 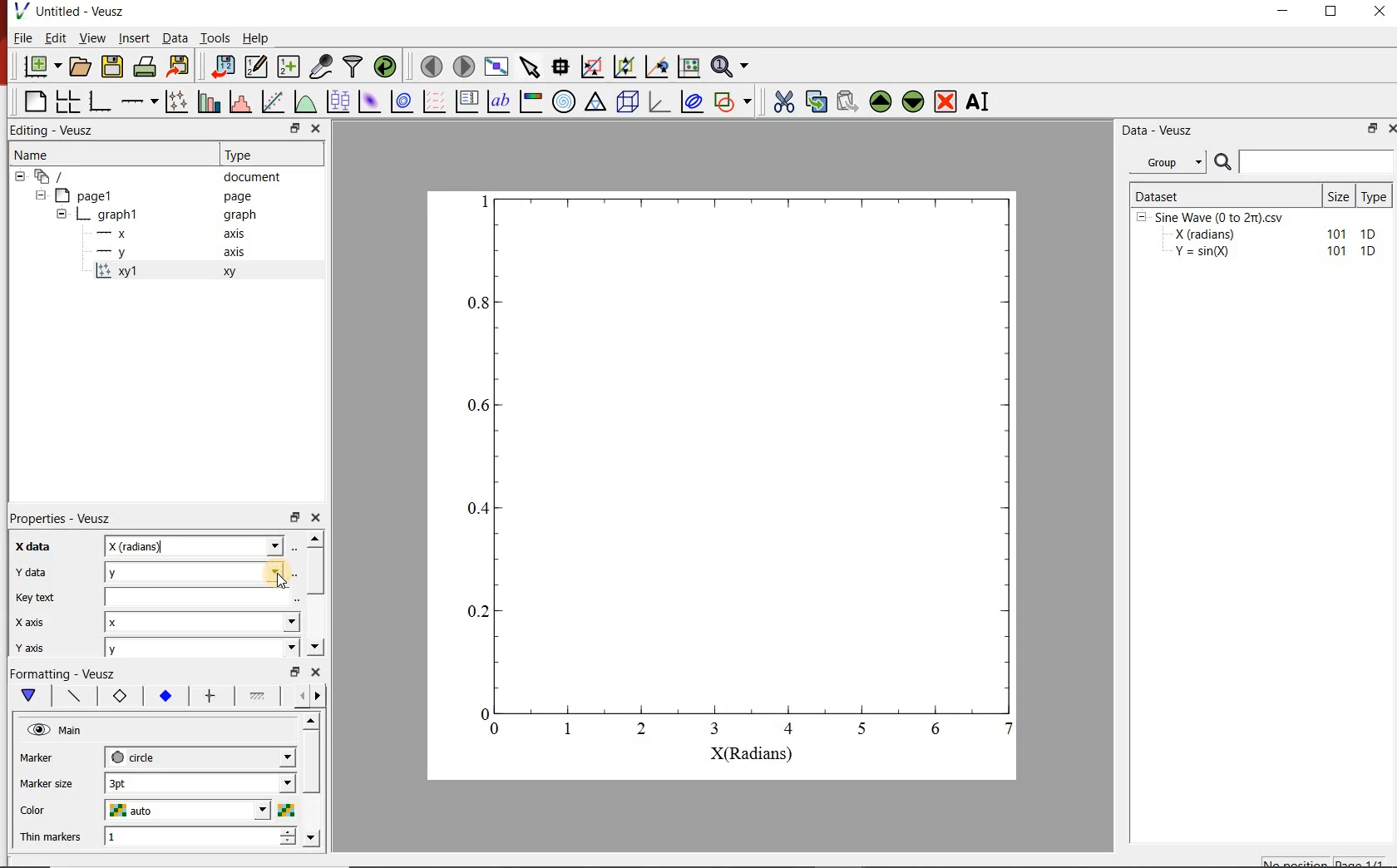 What do you see at coordinates (560, 65) in the screenshot?
I see `read data points` at bounding box center [560, 65].